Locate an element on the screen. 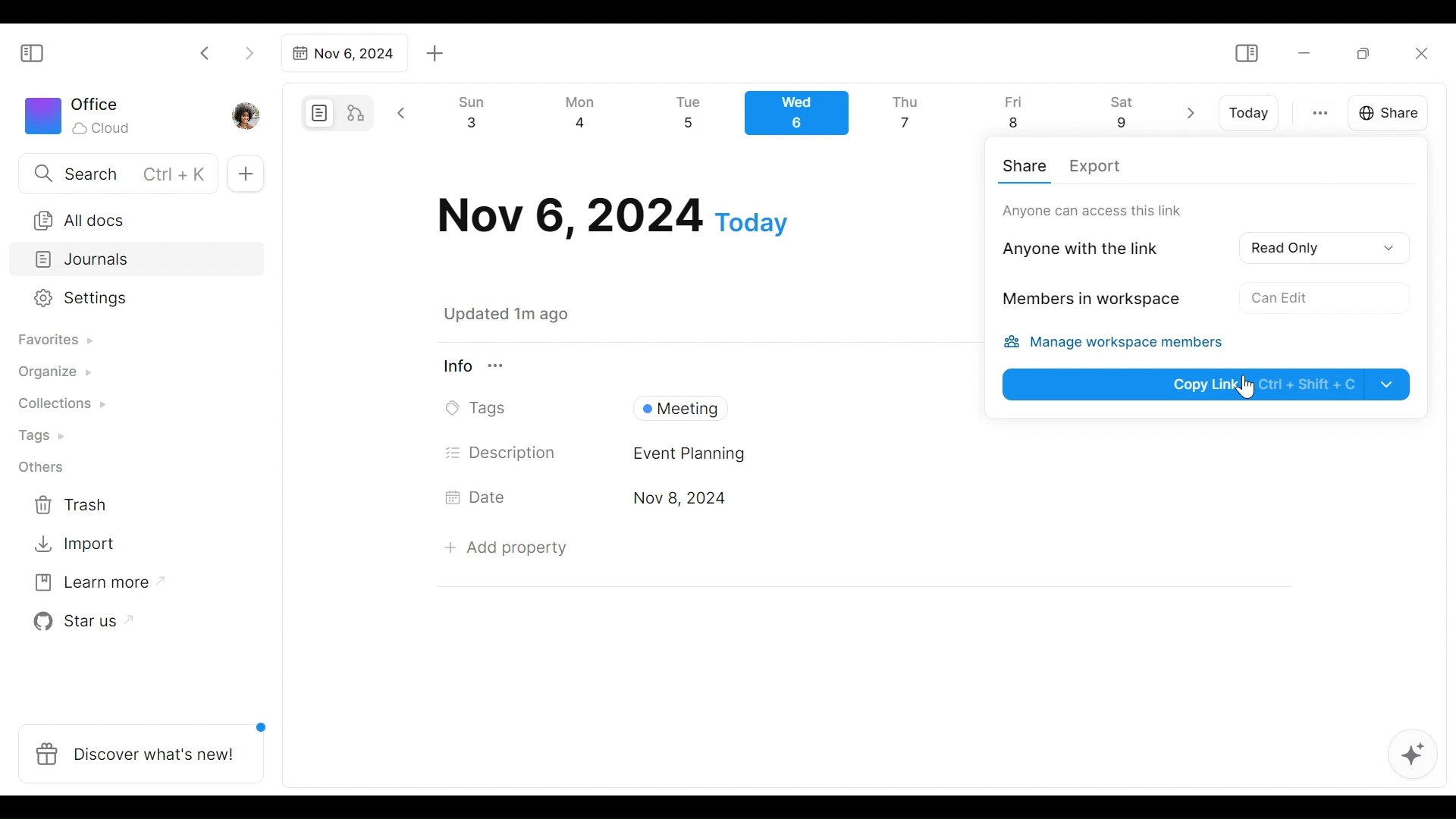  Search is located at coordinates (116, 173).